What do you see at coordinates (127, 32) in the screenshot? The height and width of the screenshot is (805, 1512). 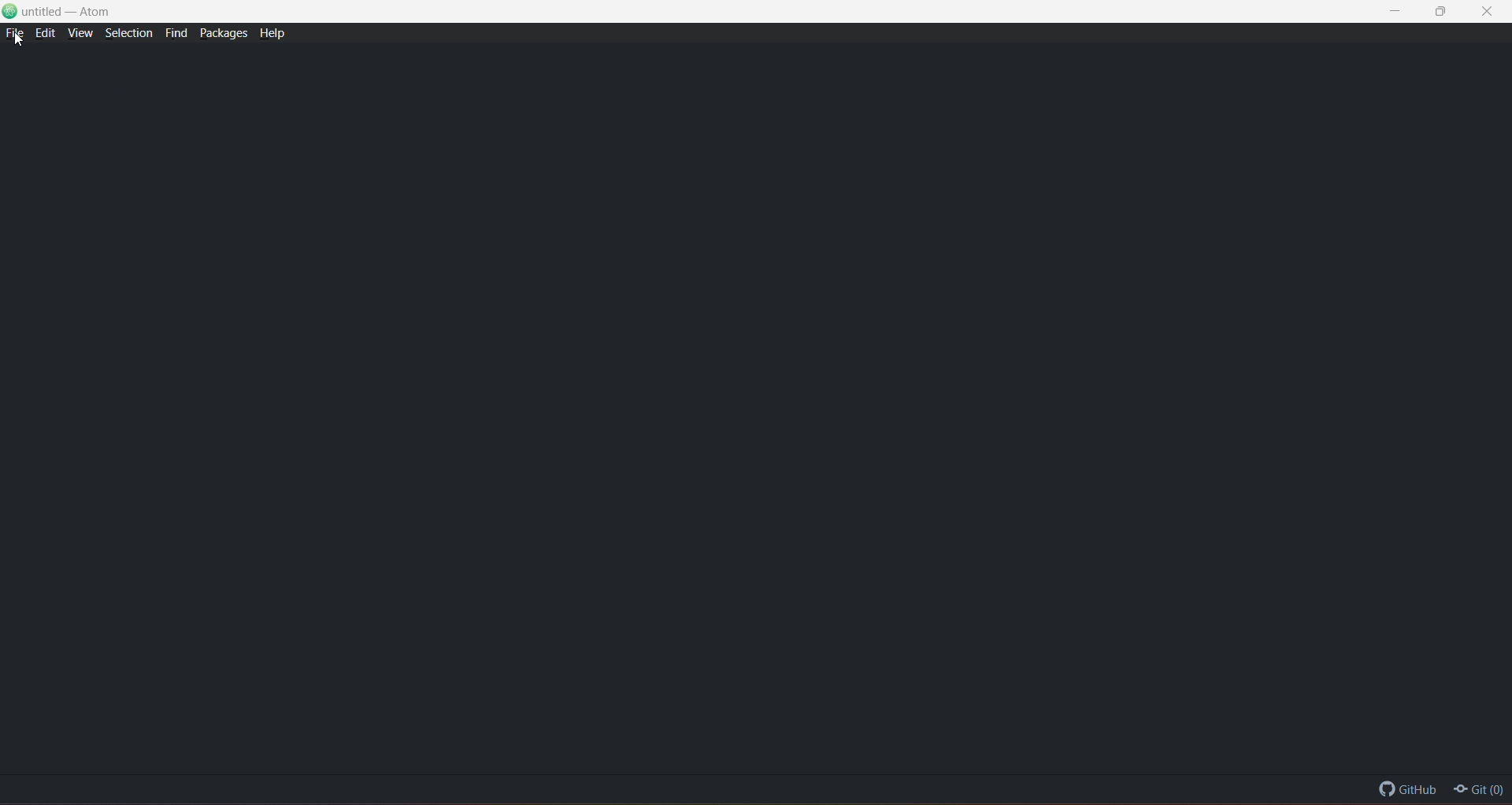 I see `Selection` at bounding box center [127, 32].